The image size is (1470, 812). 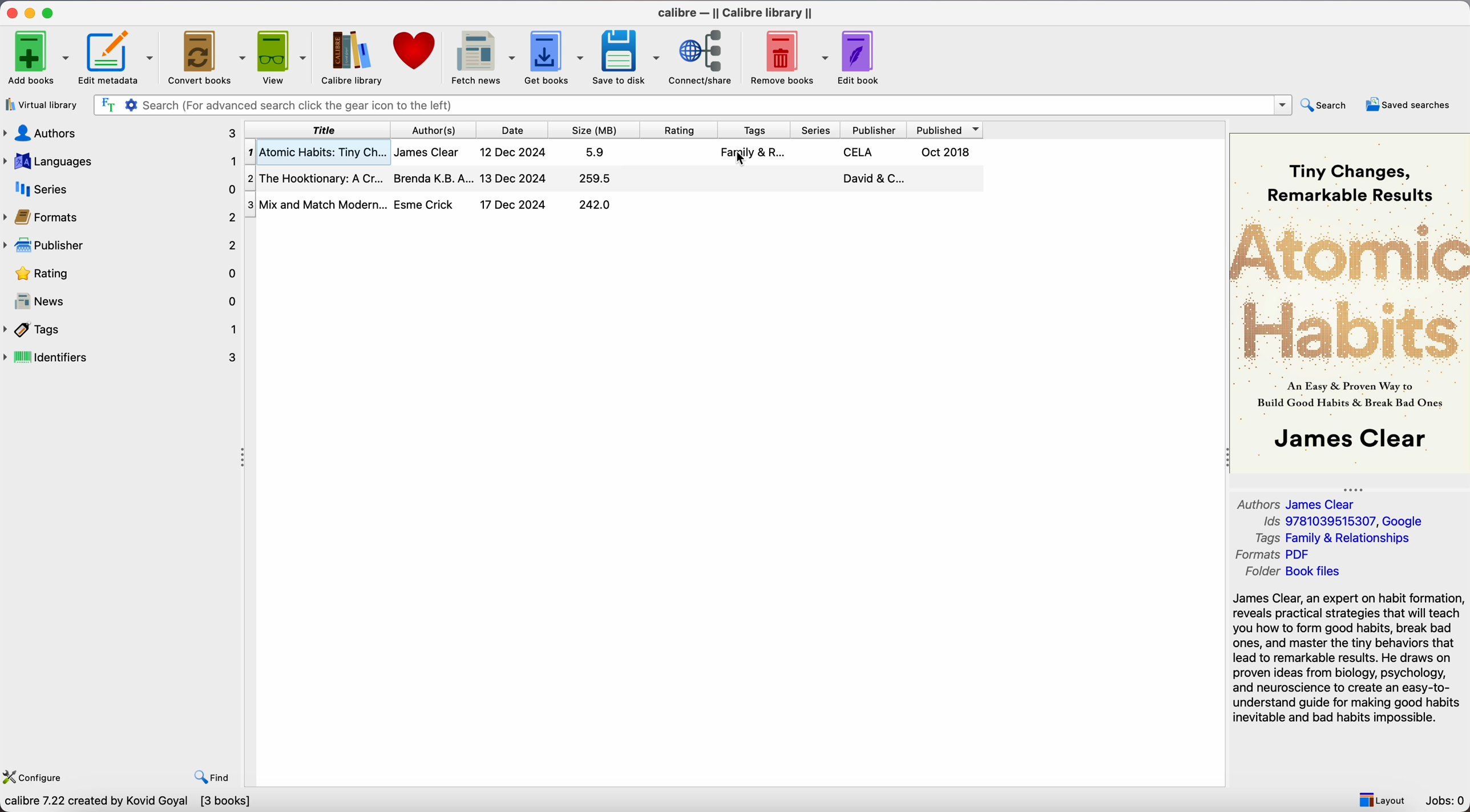 I want to click on 12 Dec 2024, so click(x=515, y=151).